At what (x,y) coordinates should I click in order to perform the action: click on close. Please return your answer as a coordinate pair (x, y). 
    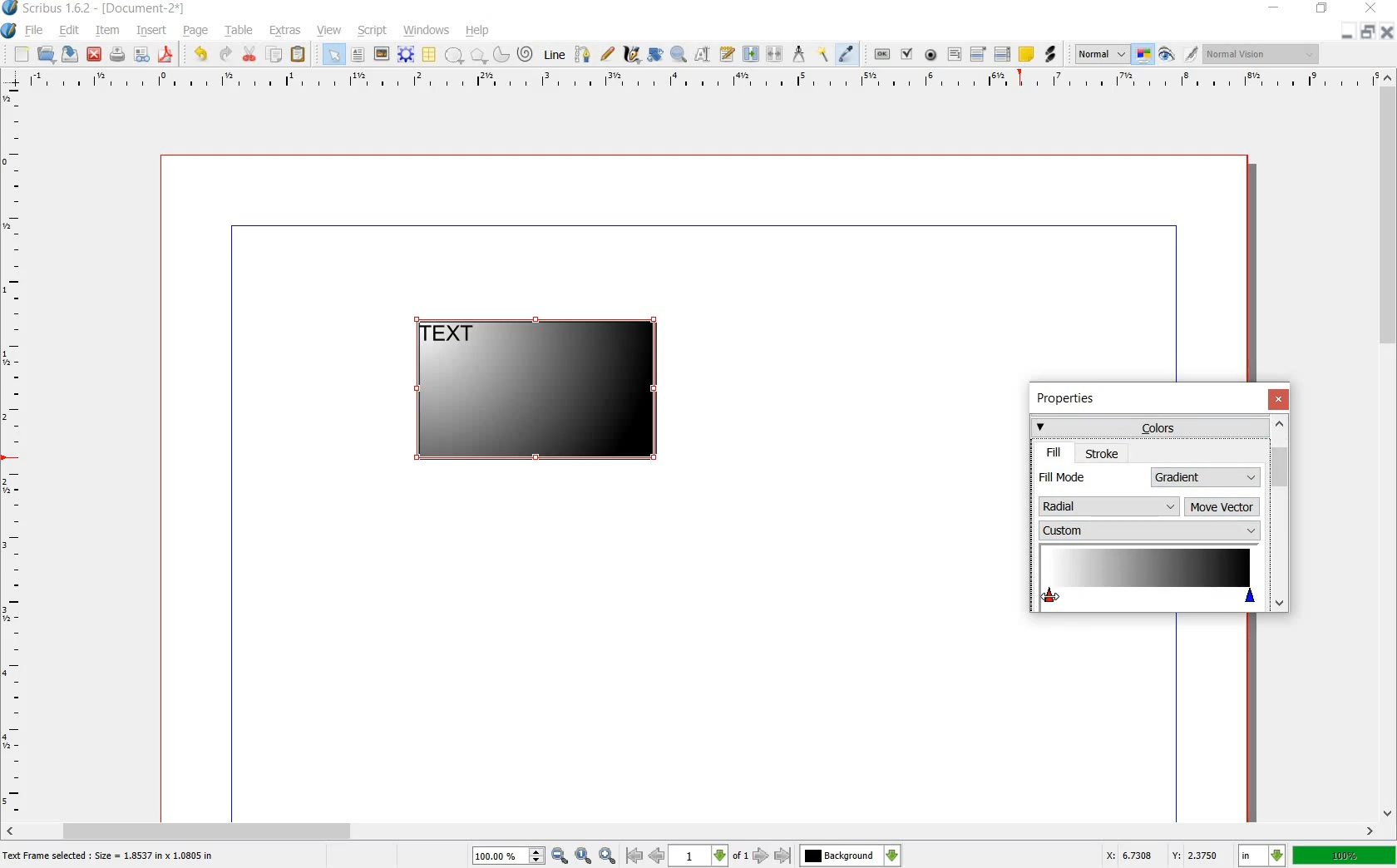
    Looking at the image, I should click on (1374, 7).